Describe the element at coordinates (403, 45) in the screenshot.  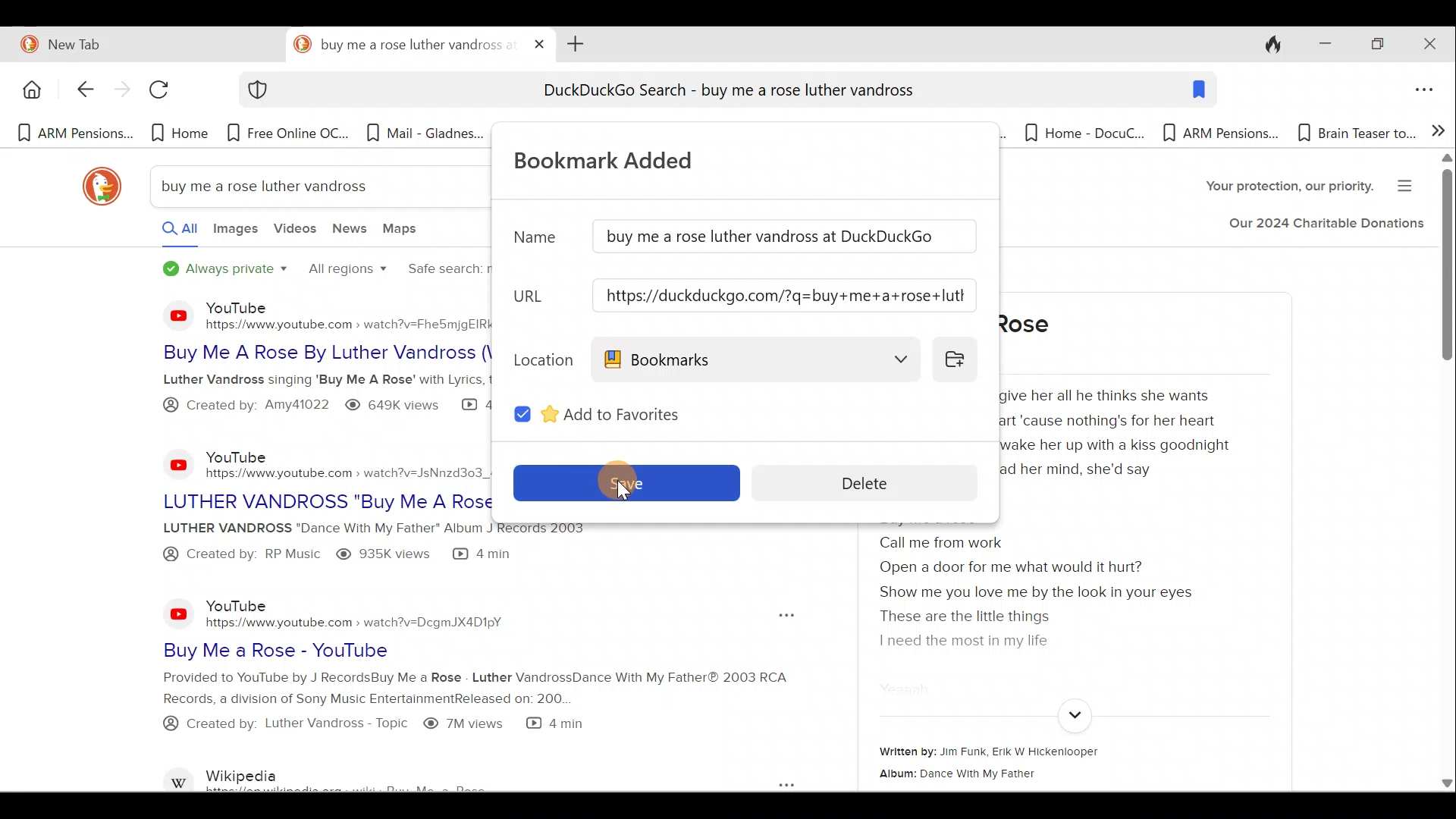
I see `buy me a rose luther vandross` at that location.